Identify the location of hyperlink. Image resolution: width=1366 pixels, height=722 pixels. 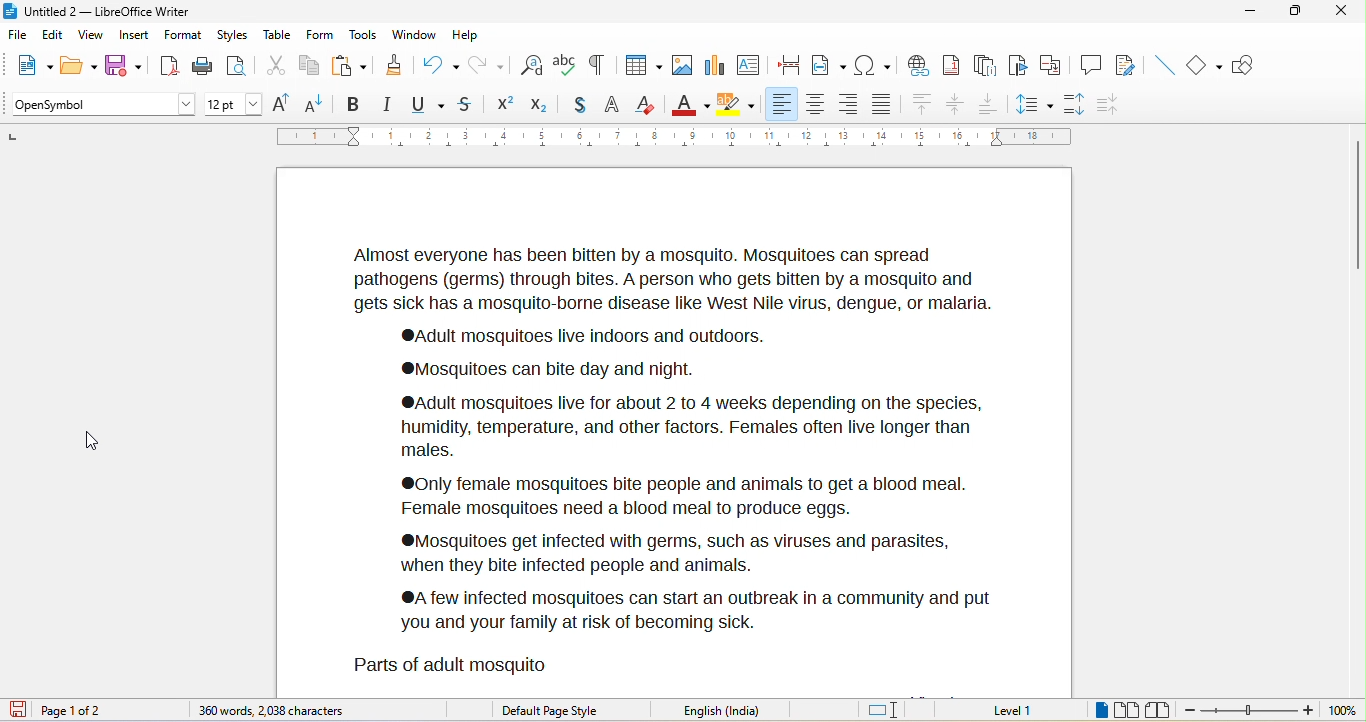
(919, 66).